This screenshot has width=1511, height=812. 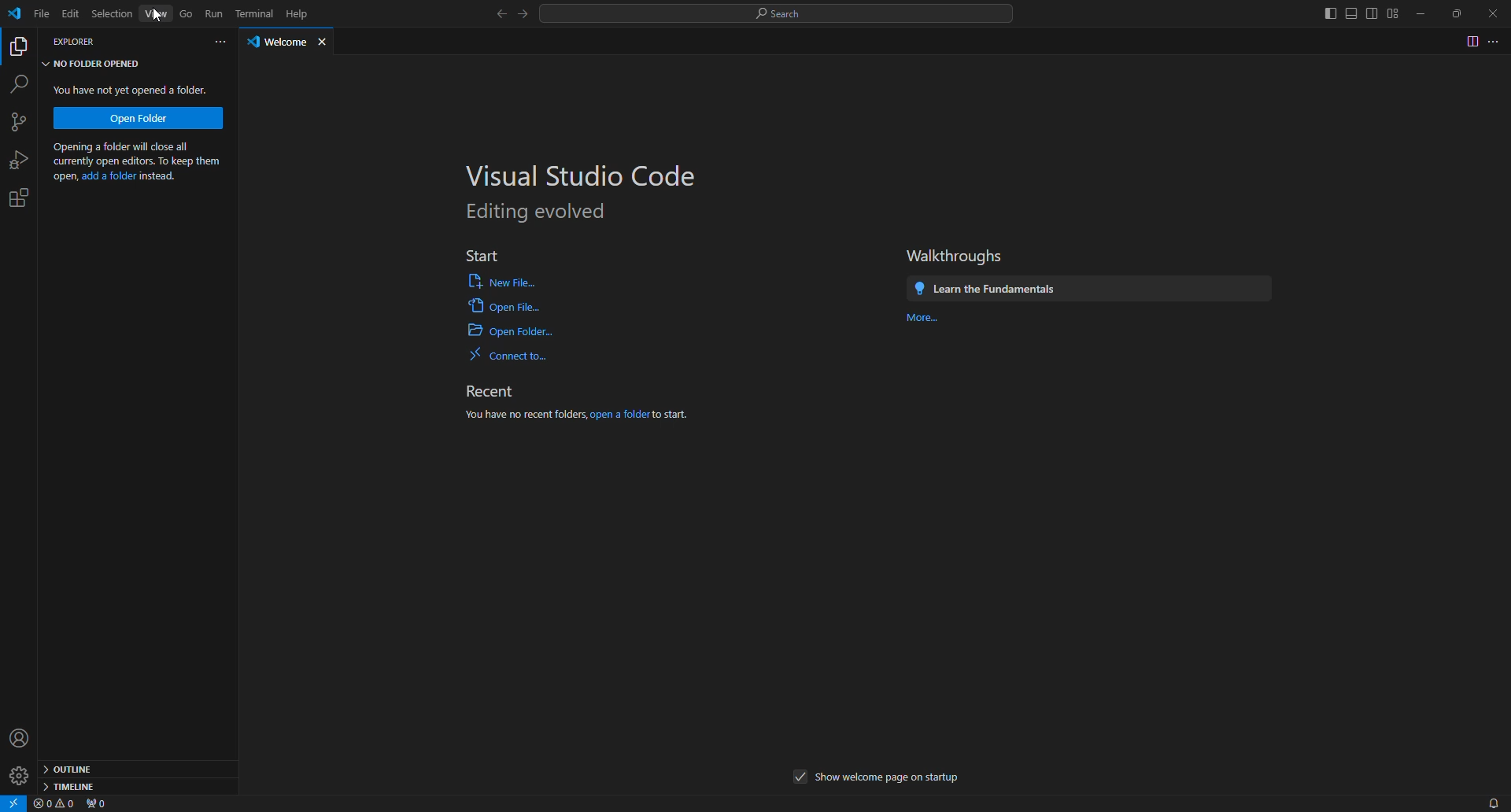 What do you see at coordinates (24, 82) in the screenshot?
I see `find` at bounding box center [24, 82].